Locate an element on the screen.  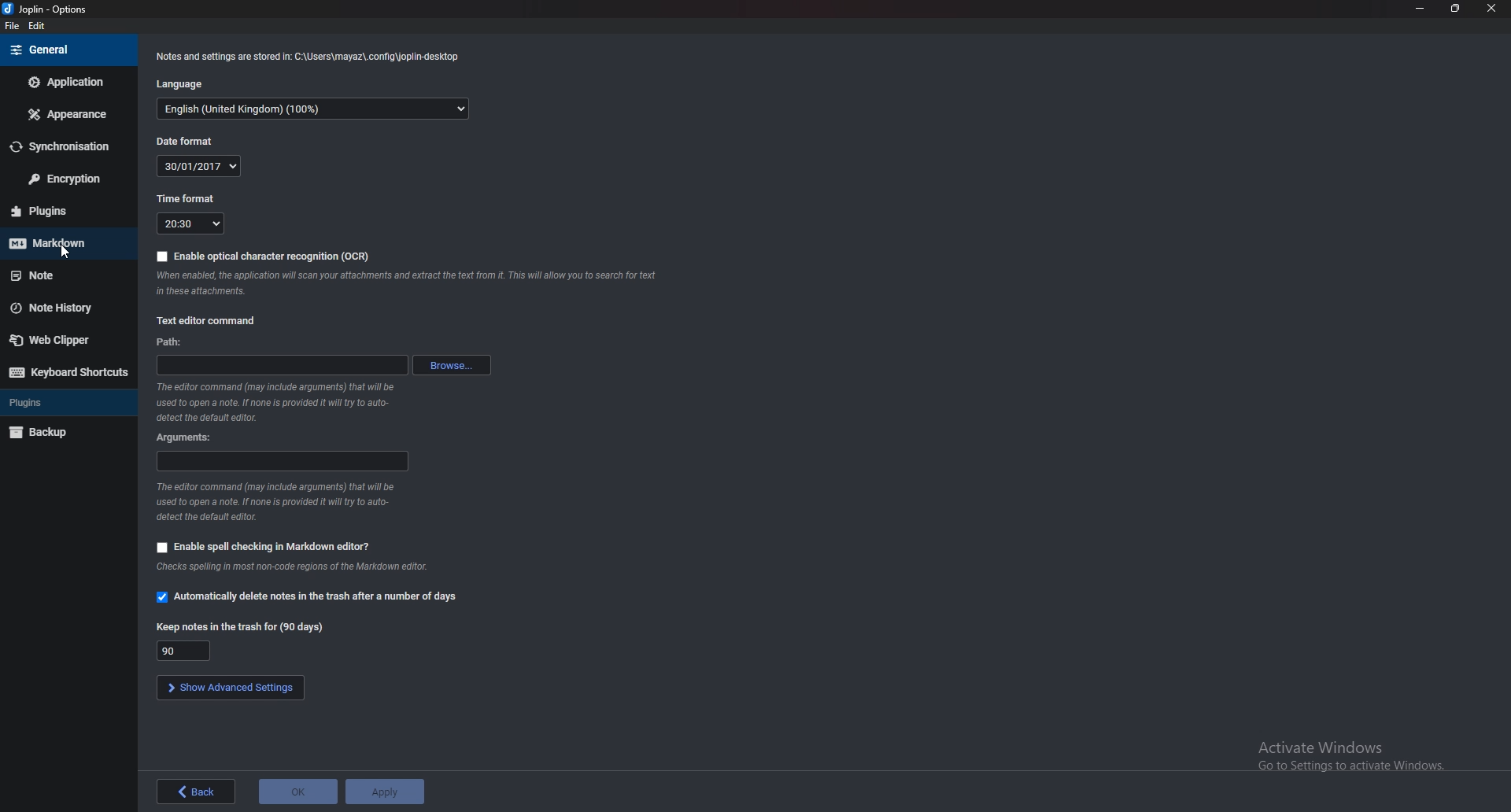
Language is located at coordinates (185, 84).